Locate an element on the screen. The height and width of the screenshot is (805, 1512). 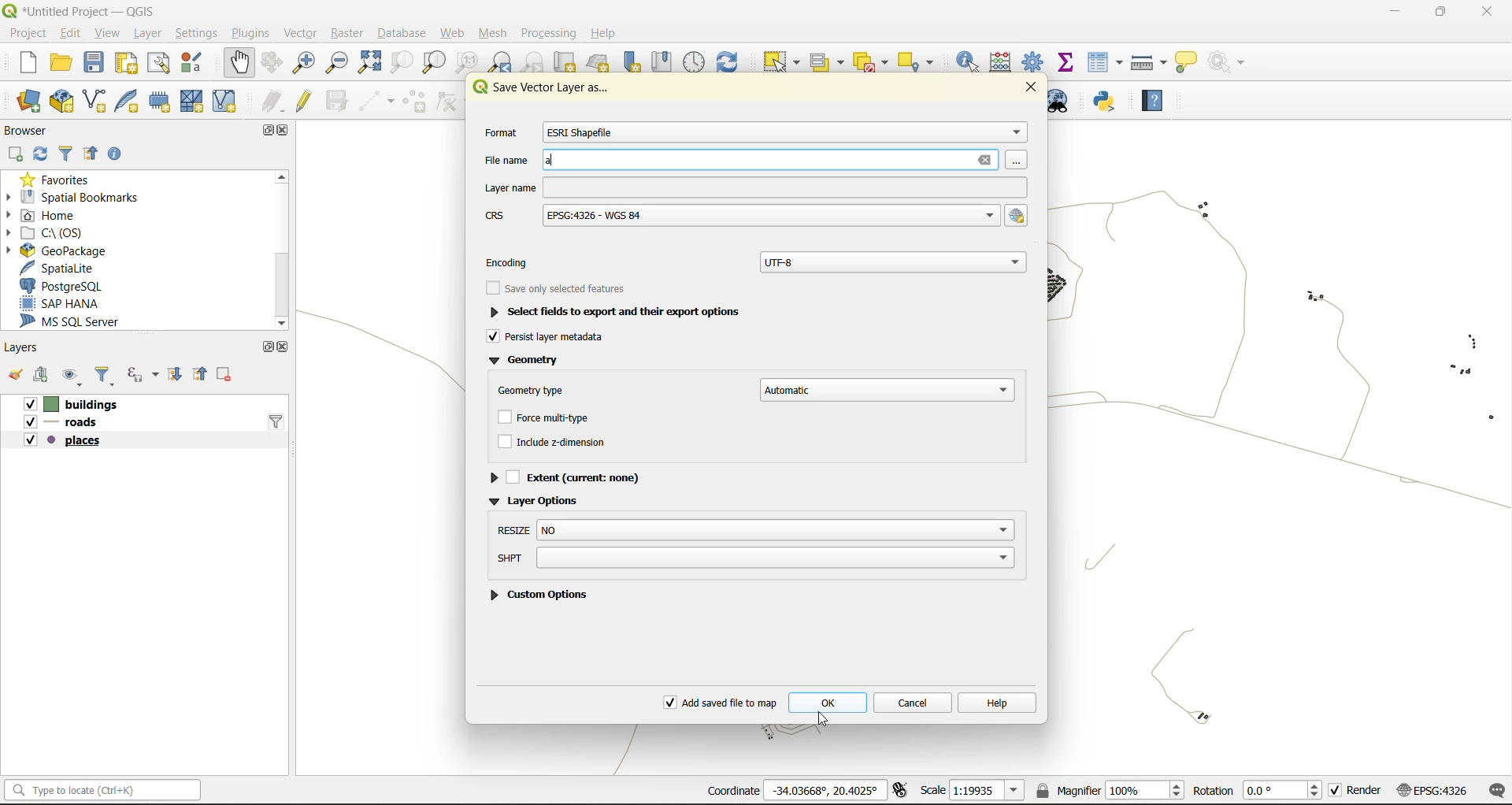
settings is located at coordinates (198, 31).